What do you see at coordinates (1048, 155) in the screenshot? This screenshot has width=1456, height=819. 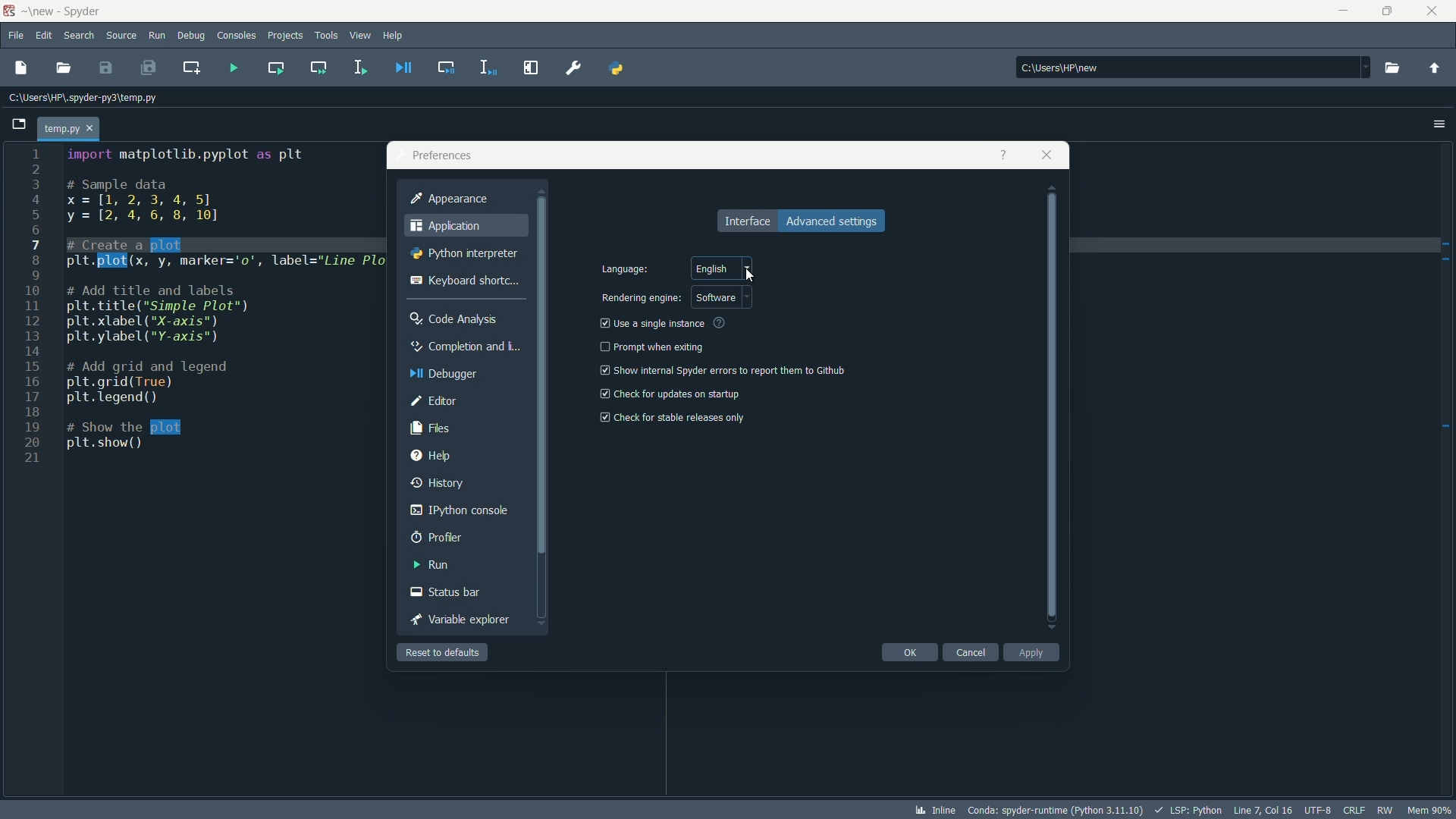 I see `close app` at bounding box center [1048, 155].